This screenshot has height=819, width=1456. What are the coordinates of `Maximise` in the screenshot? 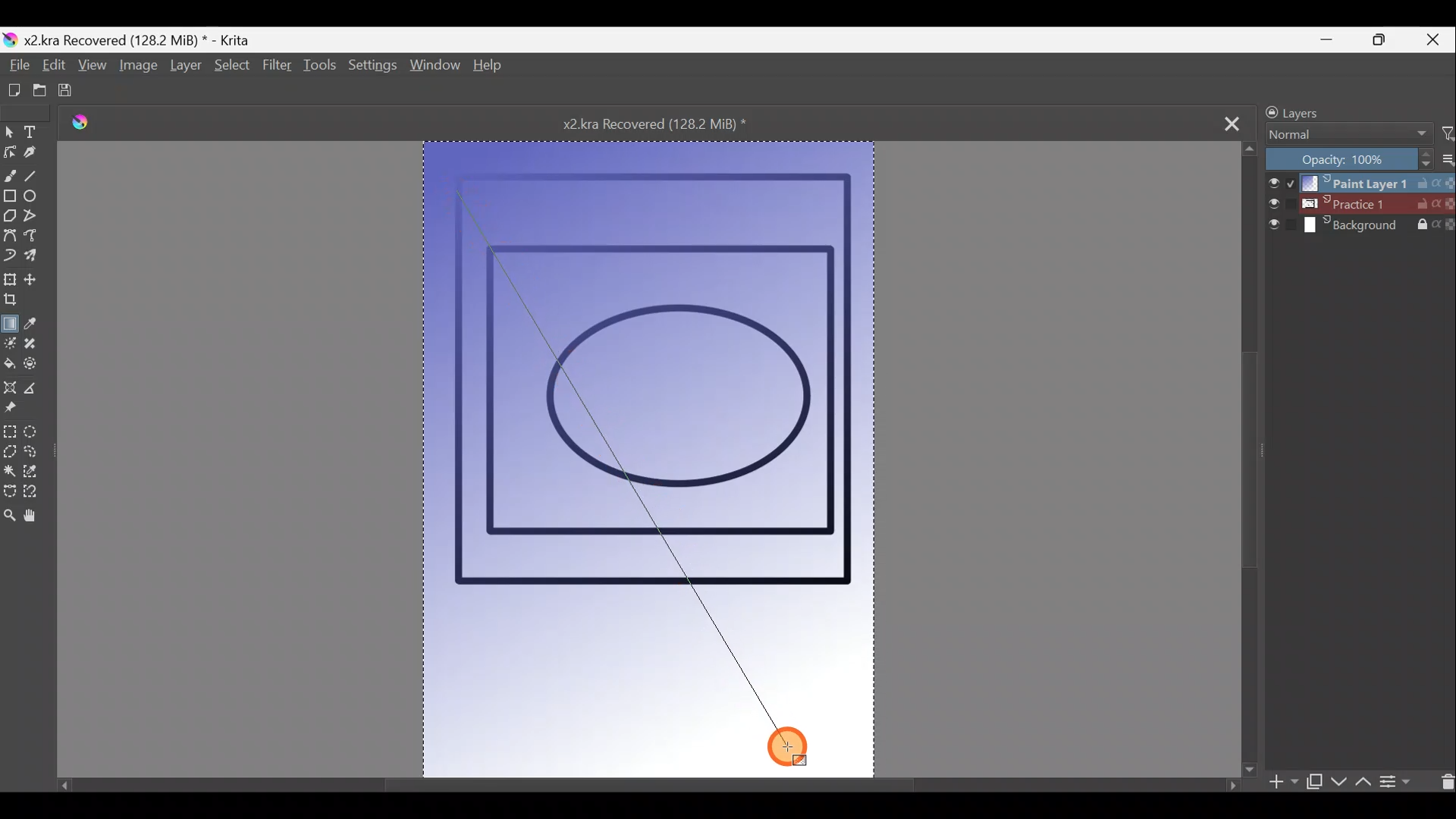 It's located at (1386, 40).